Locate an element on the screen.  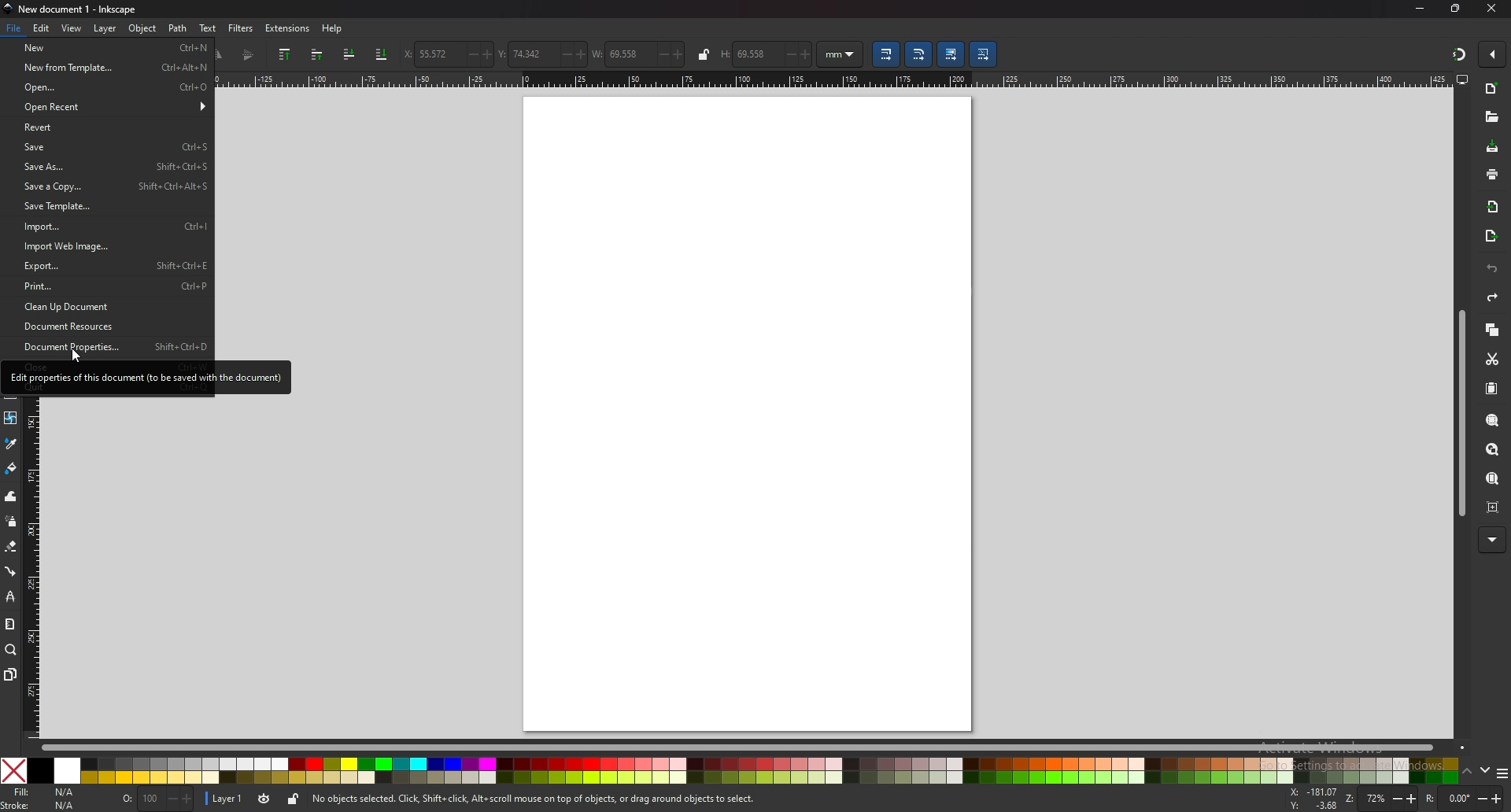
connector is located at coordinates (10, 570).